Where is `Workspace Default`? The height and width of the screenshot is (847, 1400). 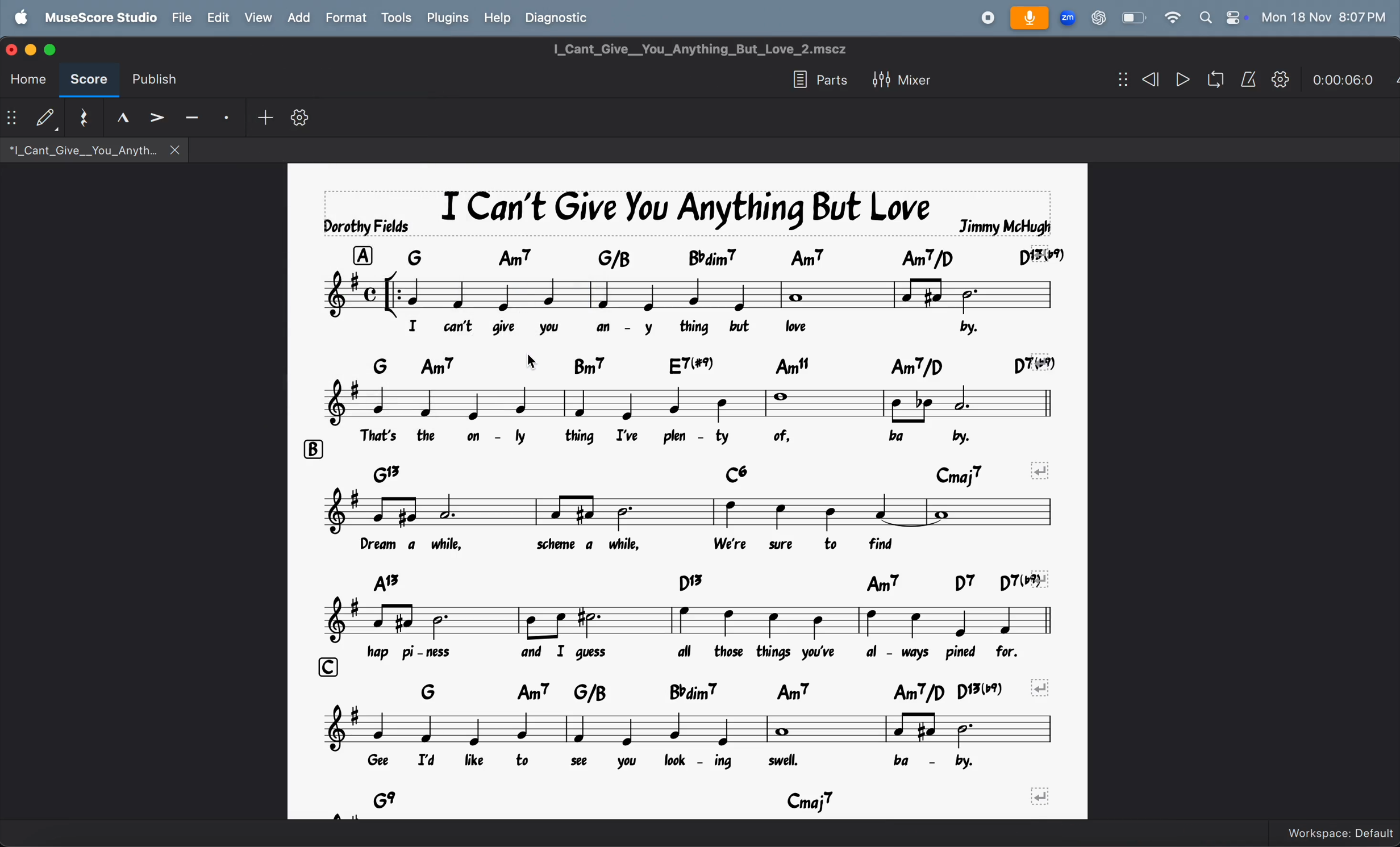 Workspace Default is located at coordinates (1340, 833).